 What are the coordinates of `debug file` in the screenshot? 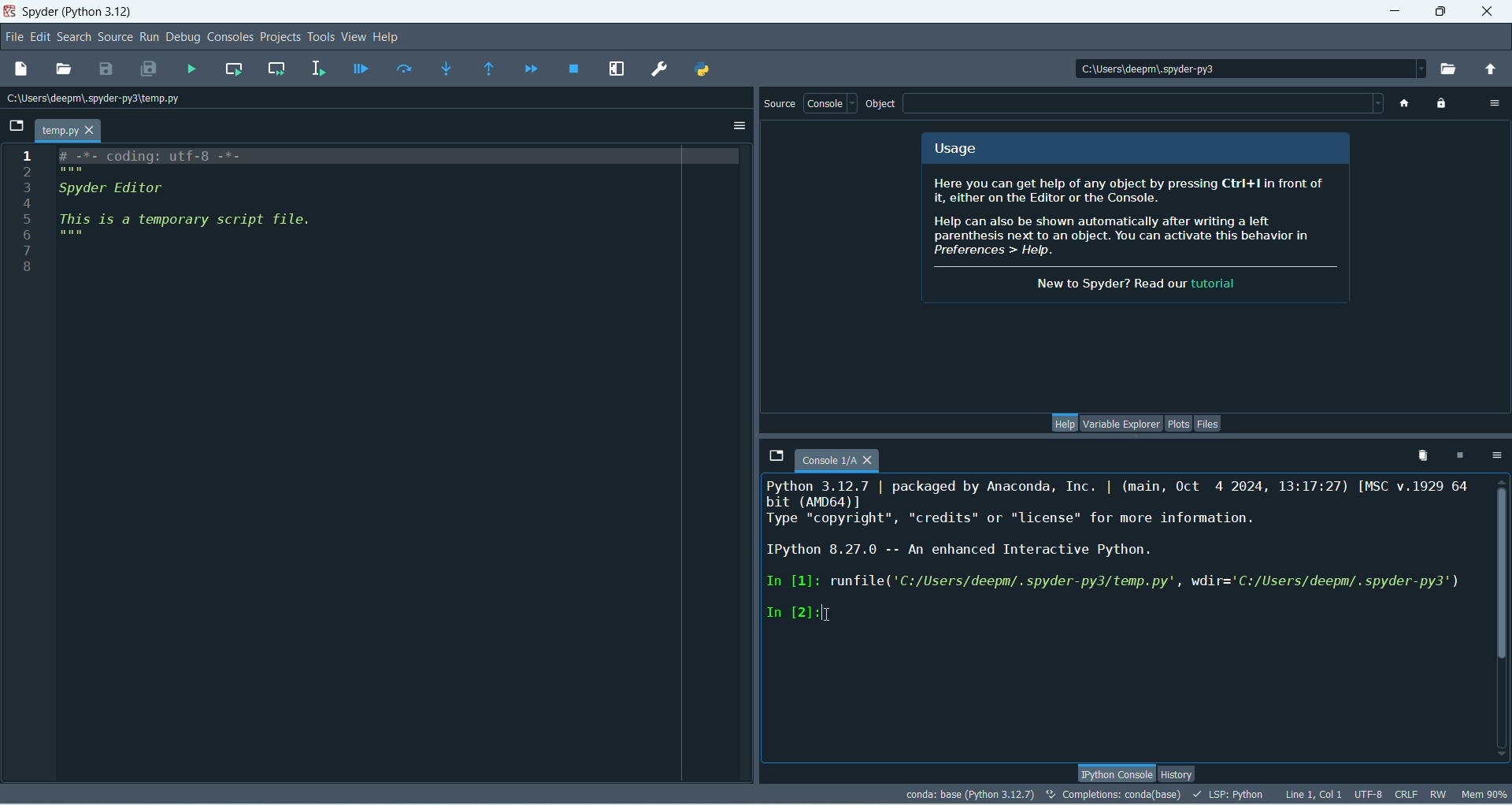 It's located at (361, 72).